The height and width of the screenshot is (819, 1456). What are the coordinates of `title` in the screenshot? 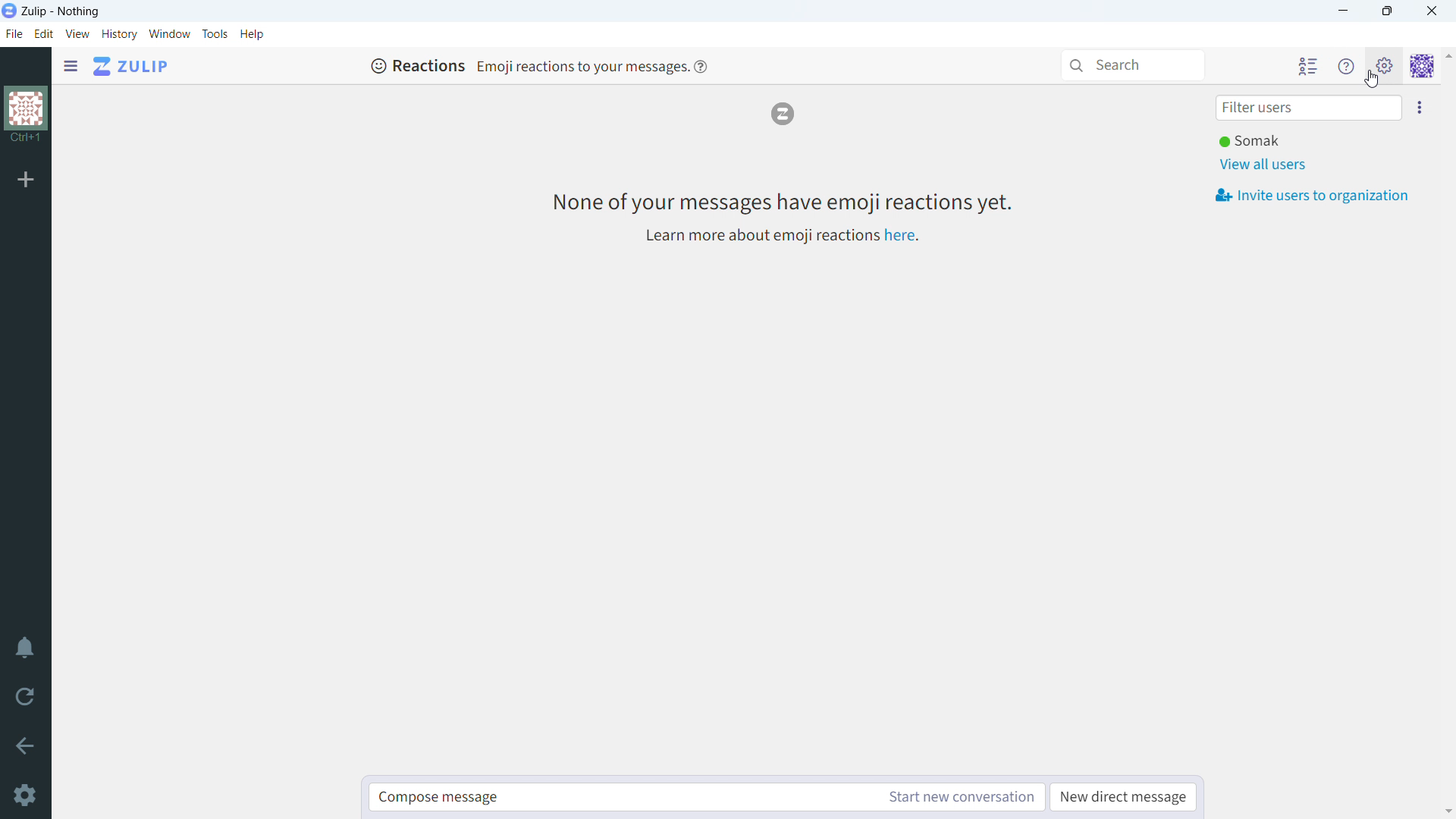 It's located at (61, 12).